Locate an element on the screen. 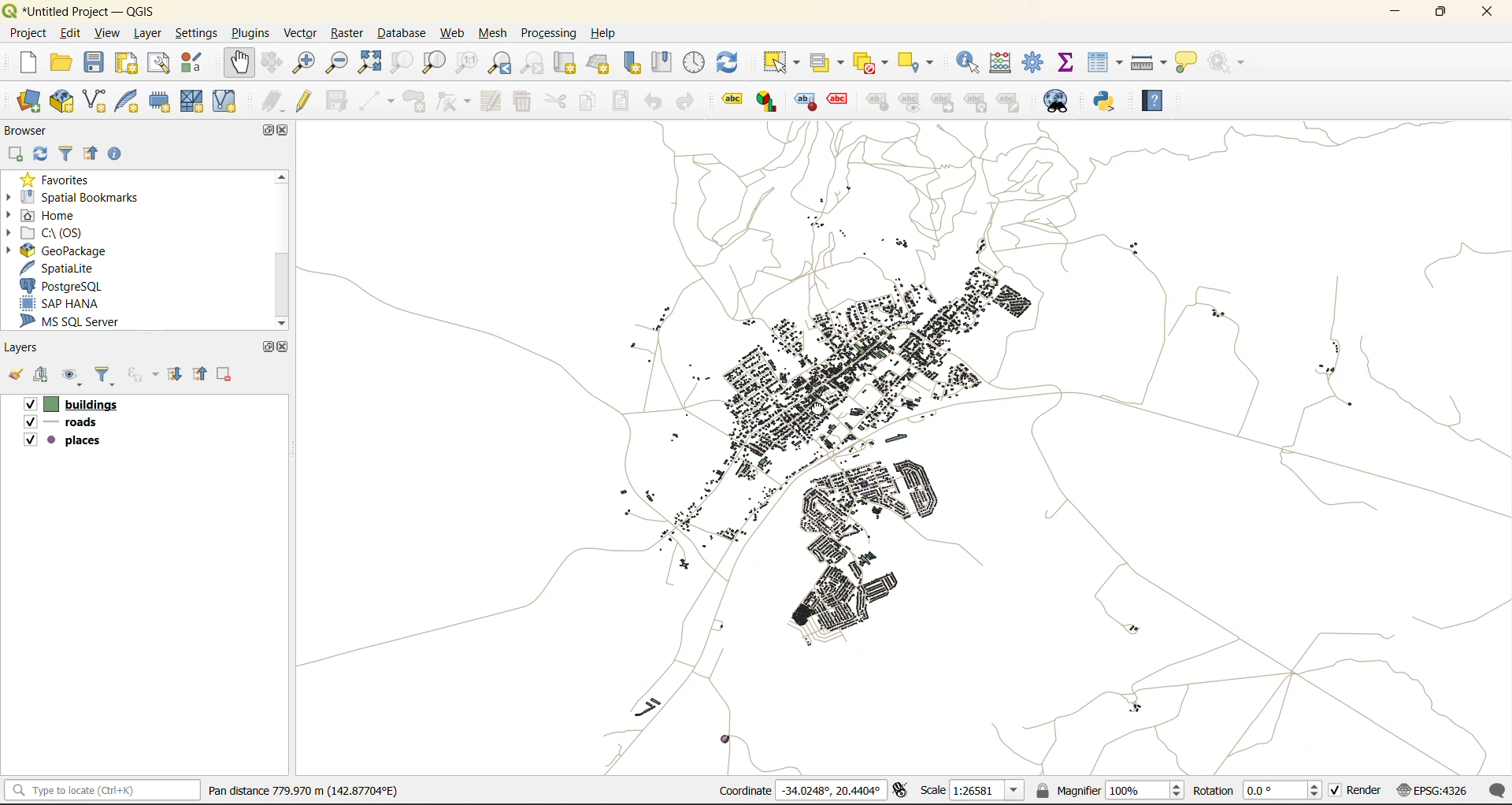  magnifier is located at coordinates (1110, 792).